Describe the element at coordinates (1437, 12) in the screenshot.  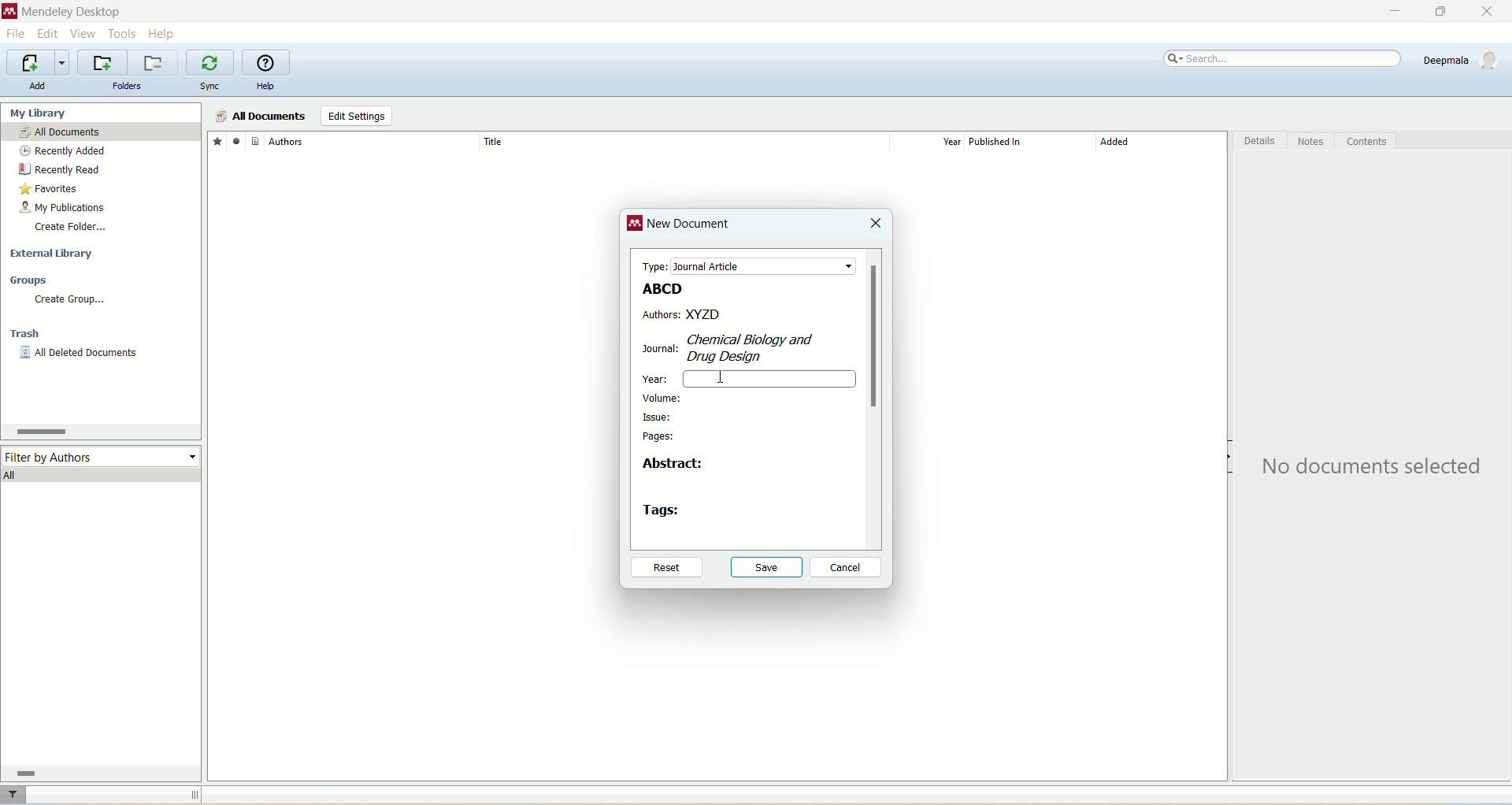
I see `maximize` at that location.